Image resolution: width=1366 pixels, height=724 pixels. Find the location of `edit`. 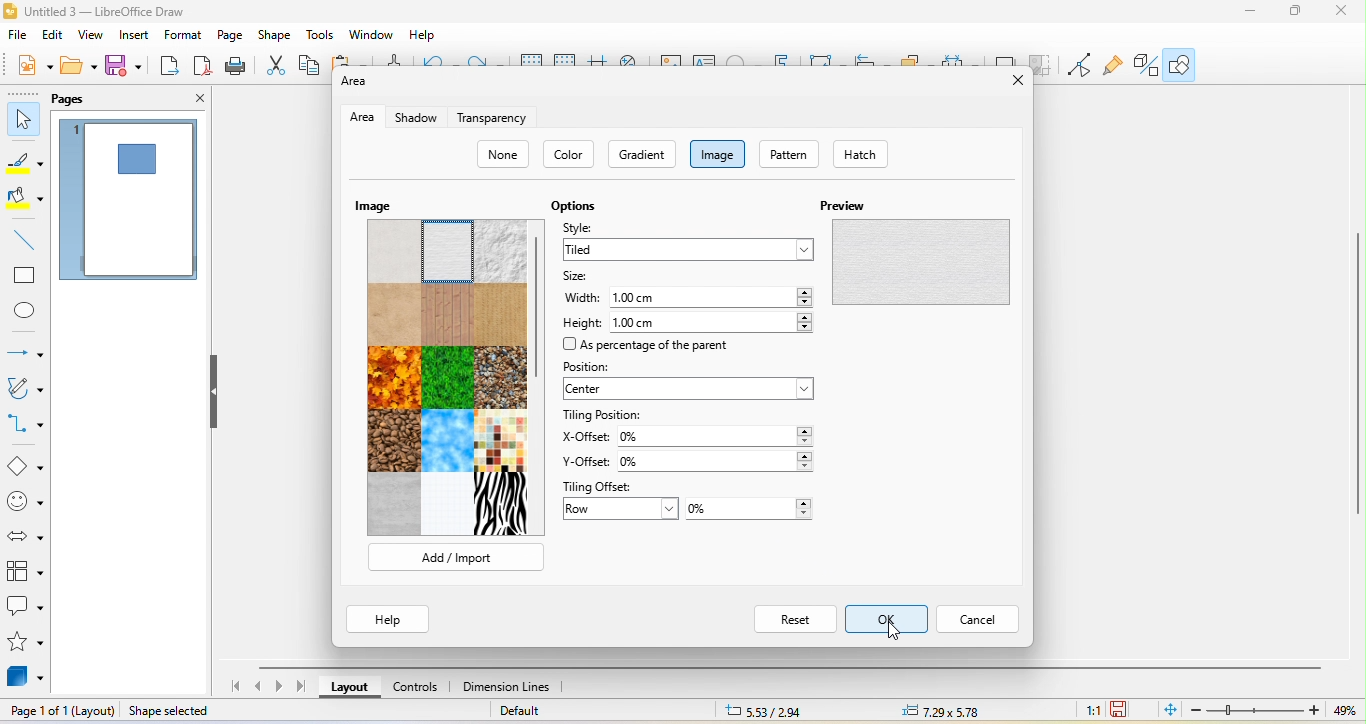

edit is located at coordinates (56, 36).